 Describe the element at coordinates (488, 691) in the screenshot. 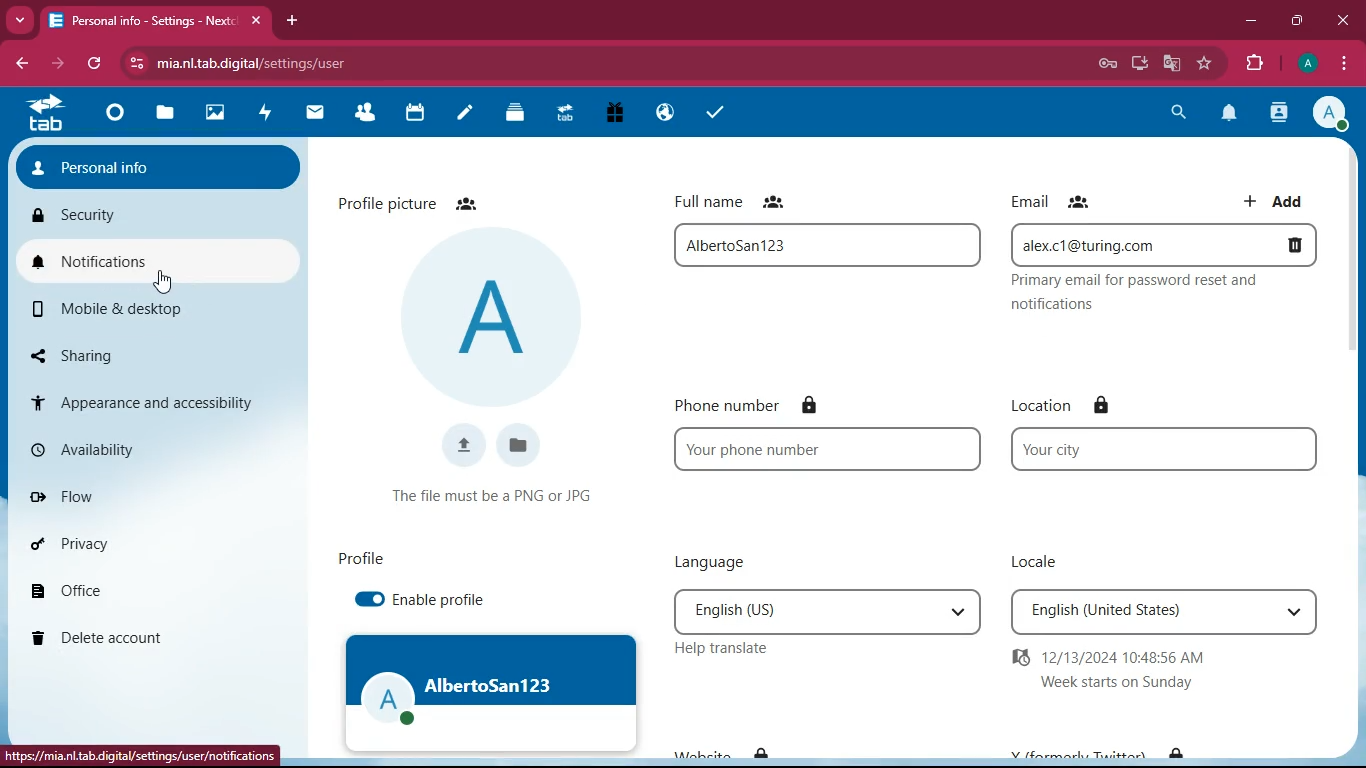

I see `profile image` at that location.